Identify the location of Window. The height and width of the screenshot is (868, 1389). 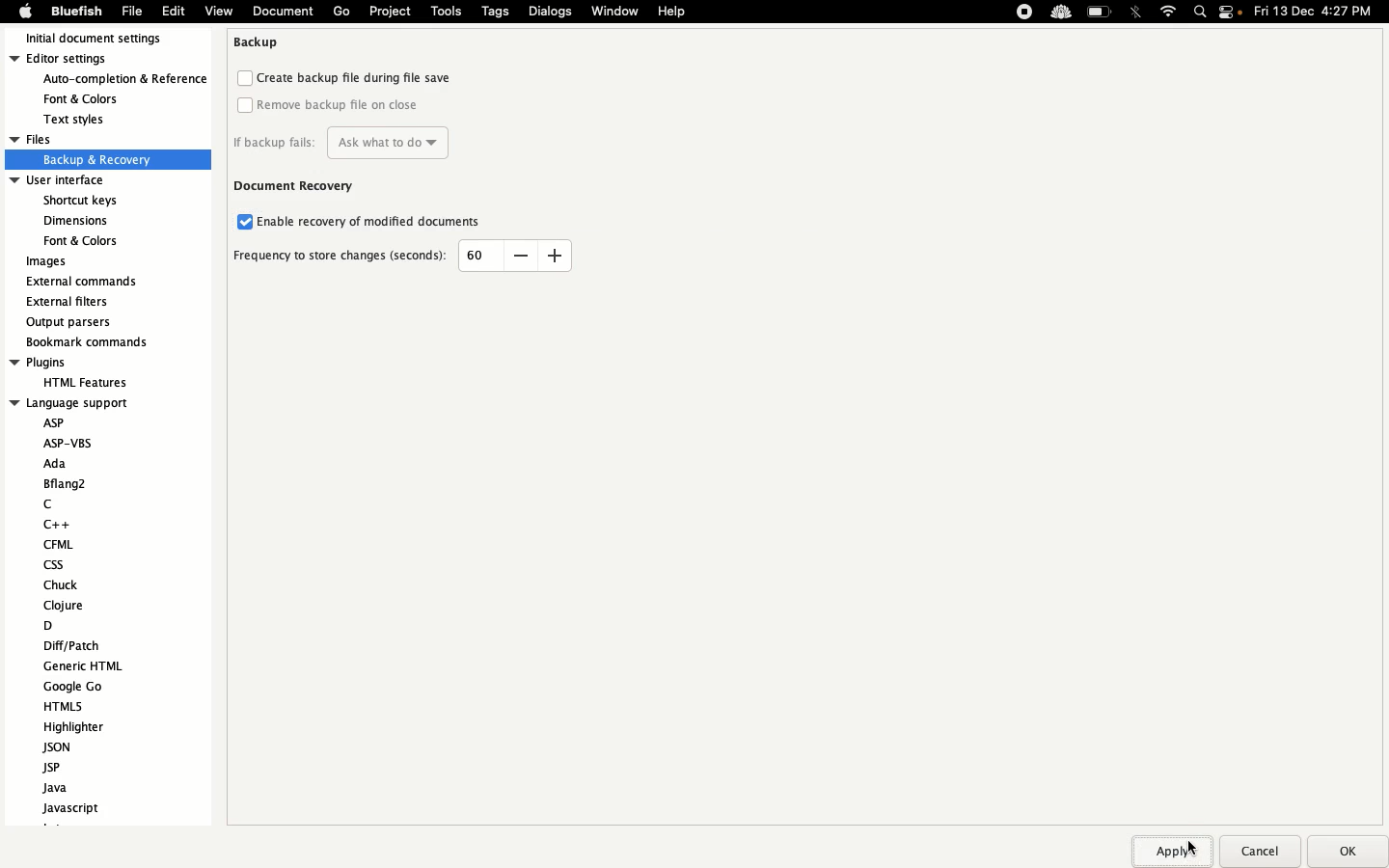
(613, 11).